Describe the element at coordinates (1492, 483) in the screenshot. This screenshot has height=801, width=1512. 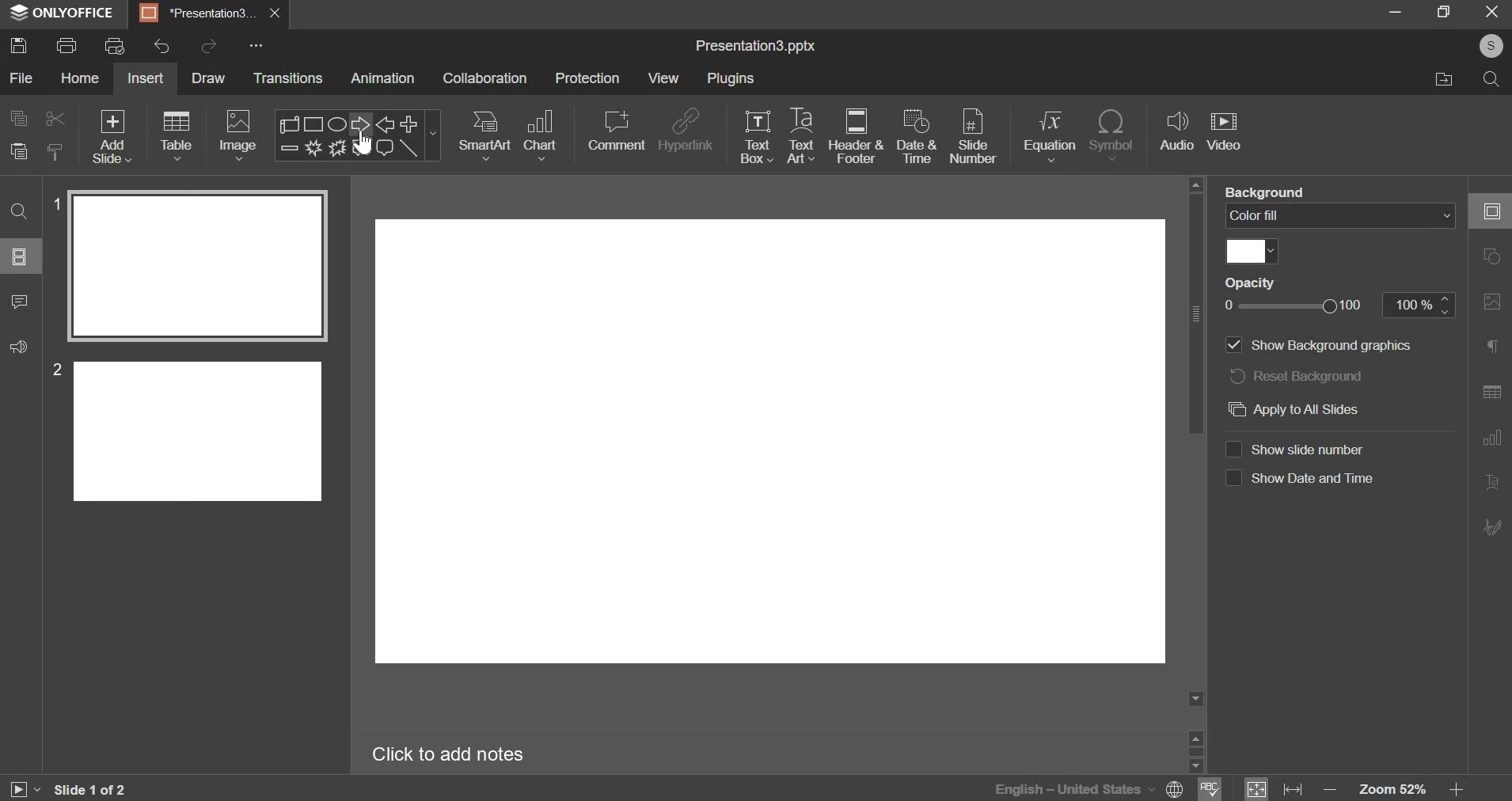
I see `Text Art settings` at that location.